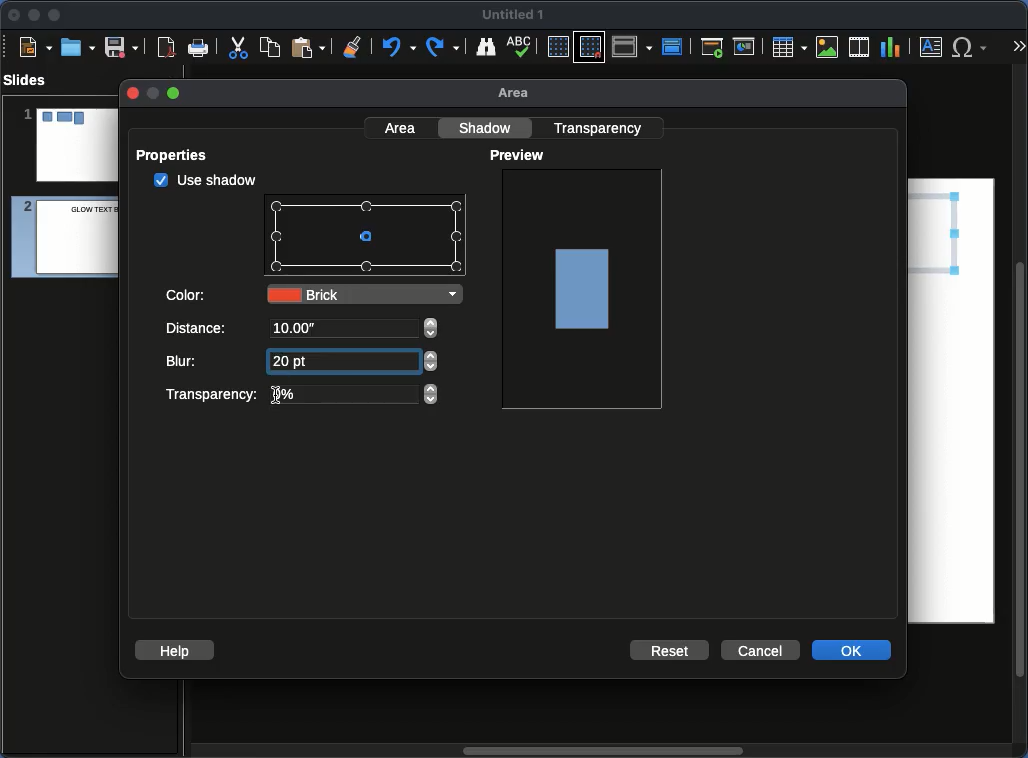  What do you see at coordinates (1022, 413) in the screenshot?
I see `Scroll` at bounding box center [1022, 413].